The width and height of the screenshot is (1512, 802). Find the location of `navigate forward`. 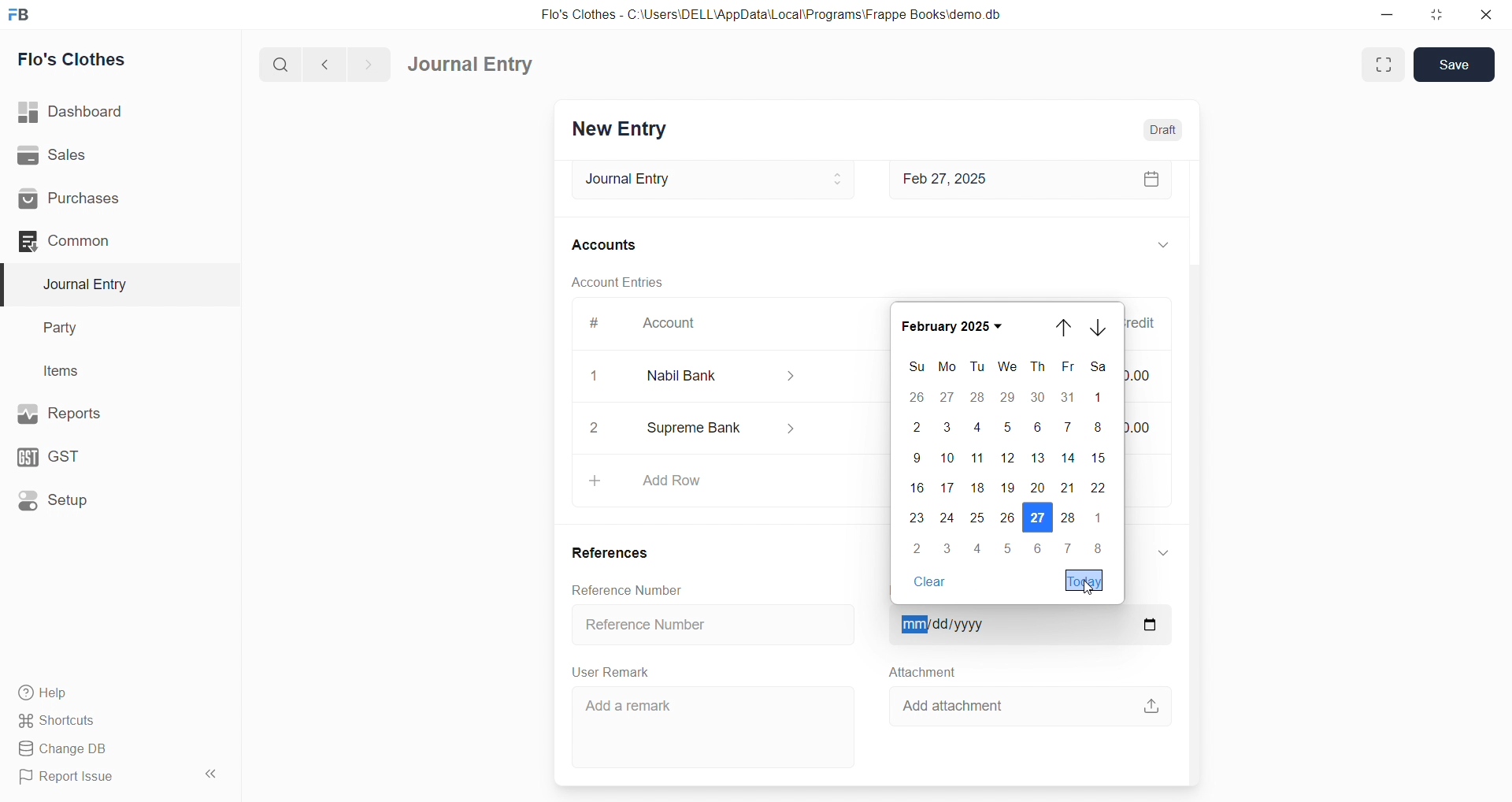

navigate forward is located at coordinates (372, 64).